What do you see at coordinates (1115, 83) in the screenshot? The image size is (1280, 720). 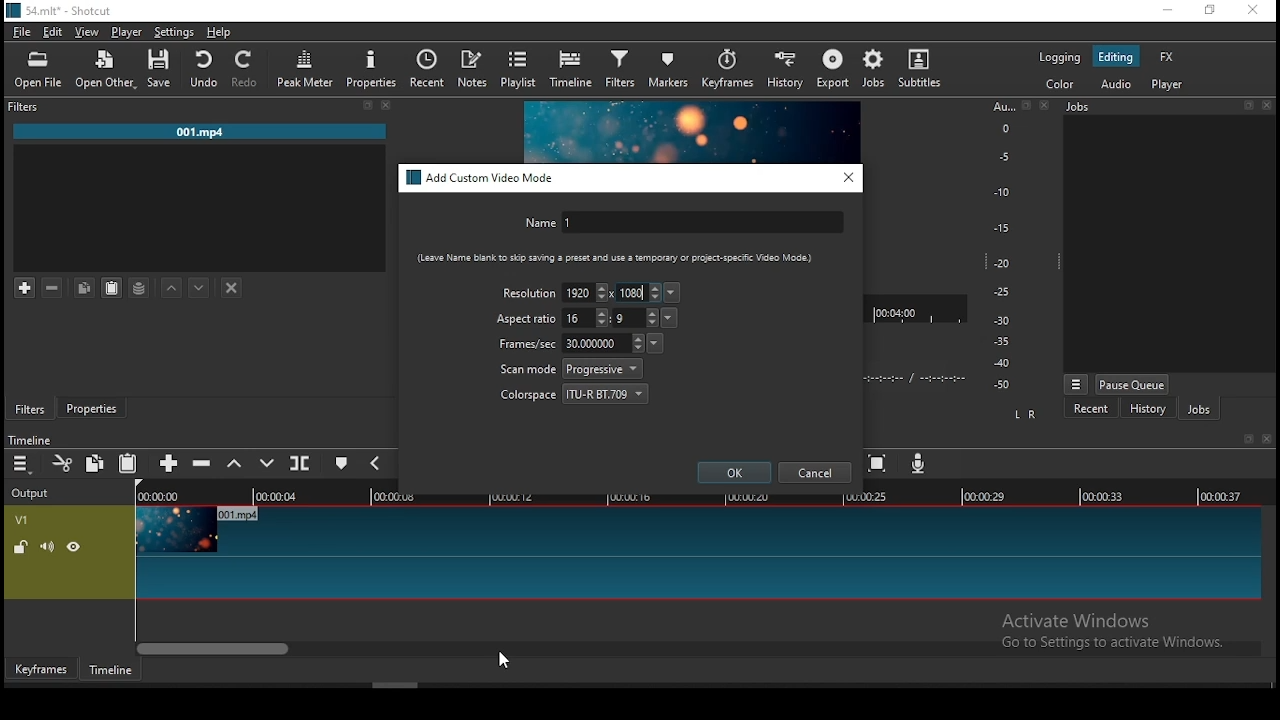 I see `audio` at bounding box center [1115, 83].